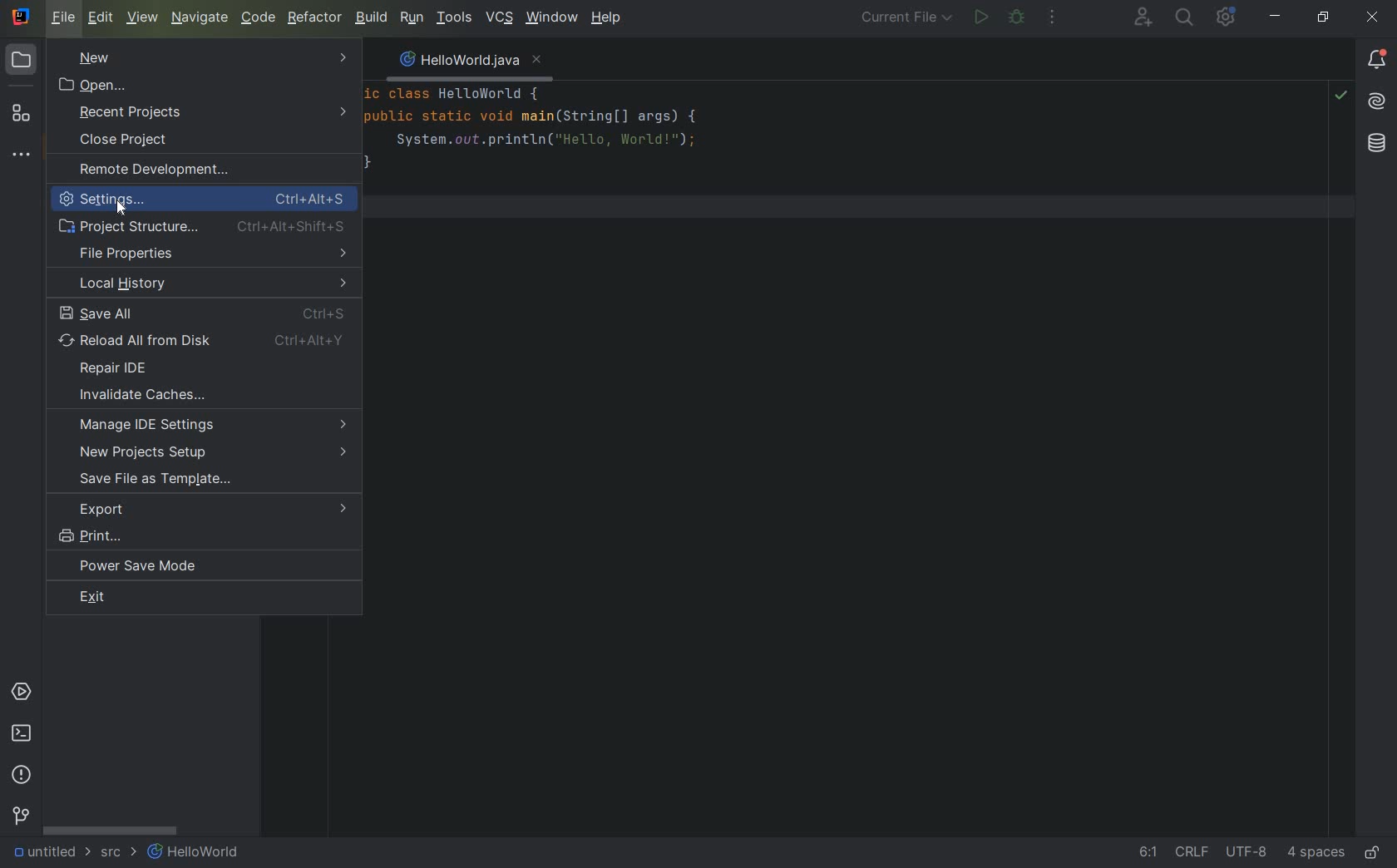  What do you see at coordinates (157, 141) in the screenshot?
I see `CLOSE PROJECT` at bounding box center [157, 141].